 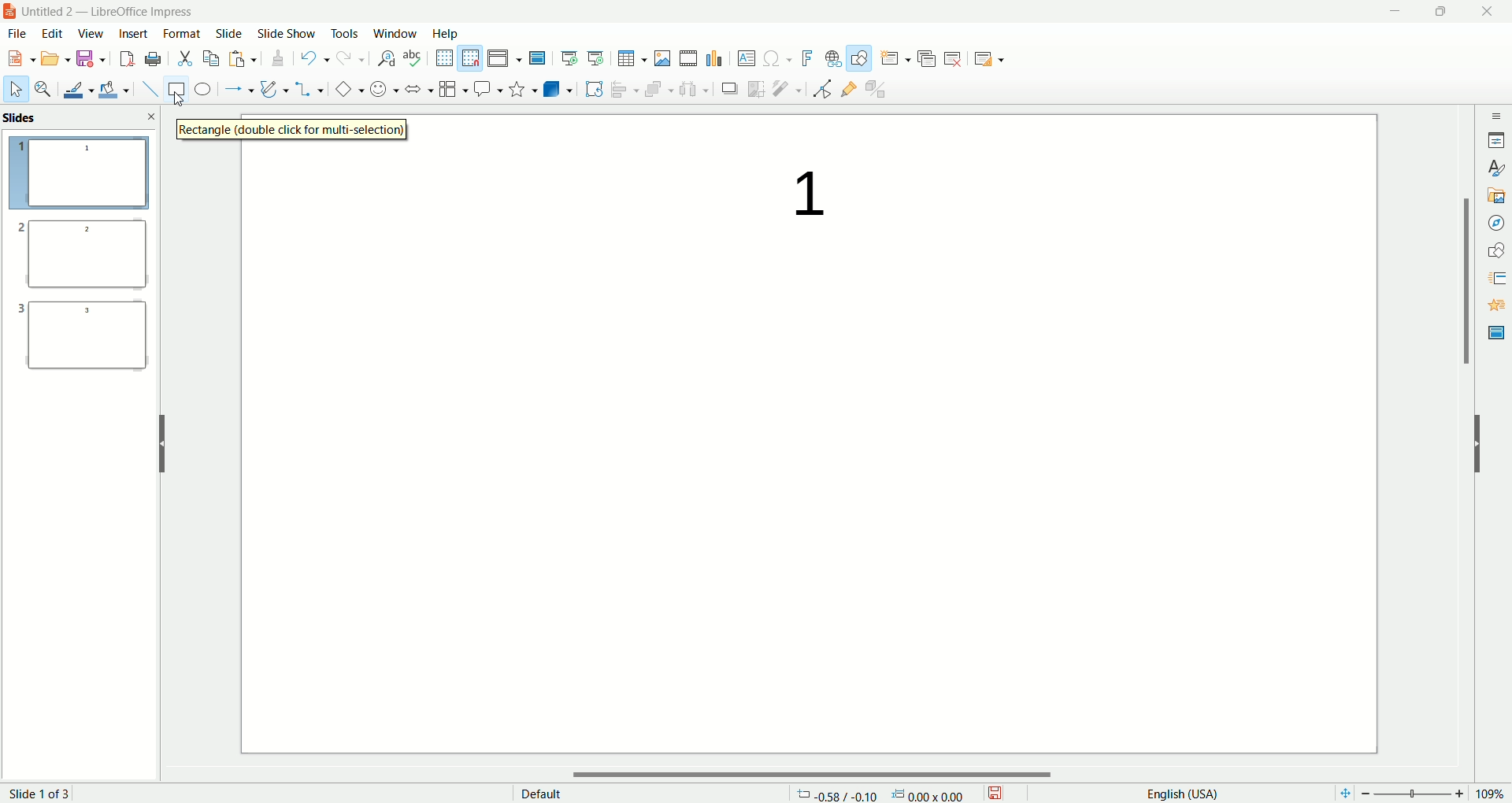 I want to click on spelling, so click(x=413, y=58).